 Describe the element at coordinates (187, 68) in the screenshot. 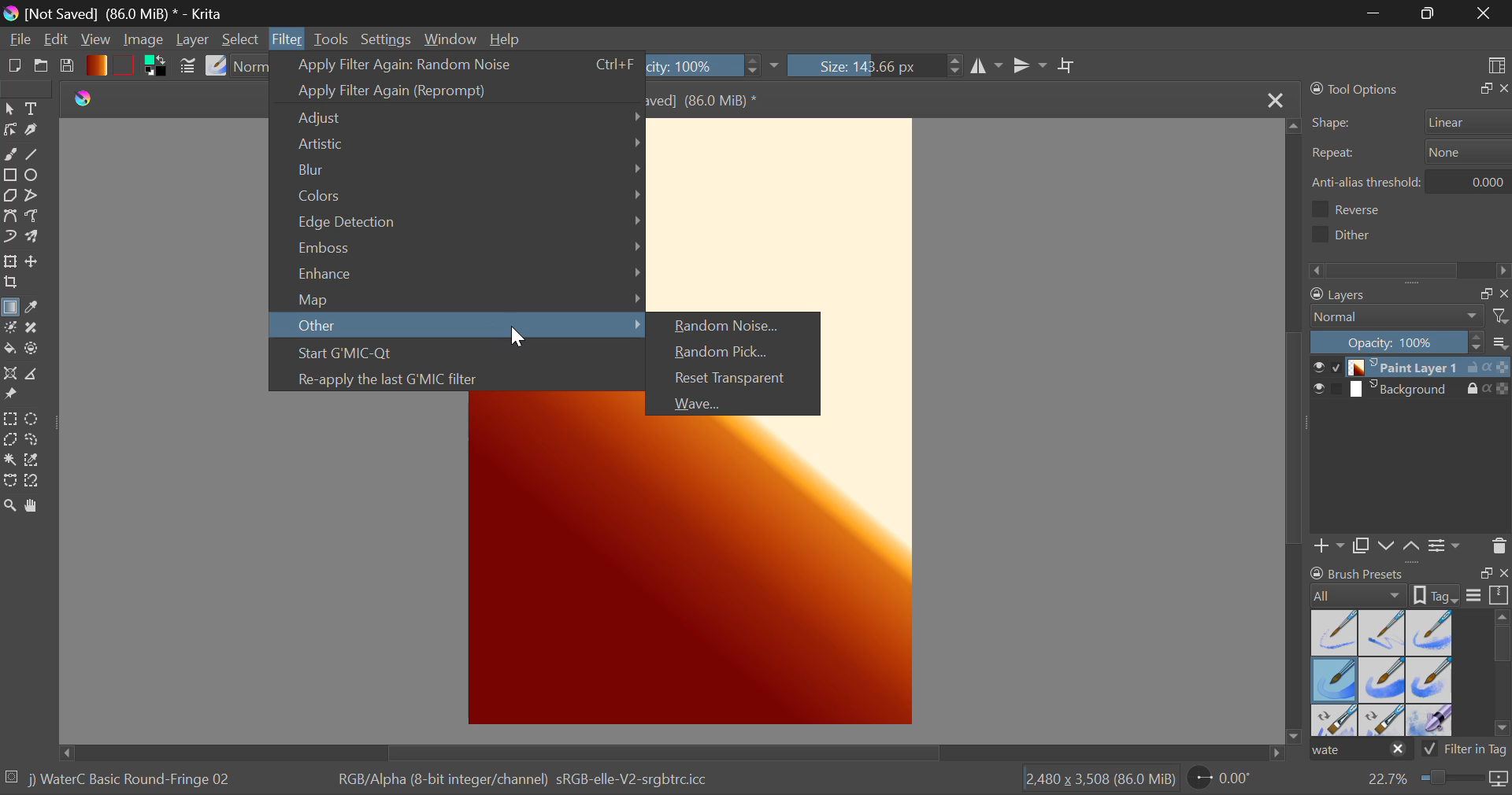

I see `Brusht Settings` at that location.